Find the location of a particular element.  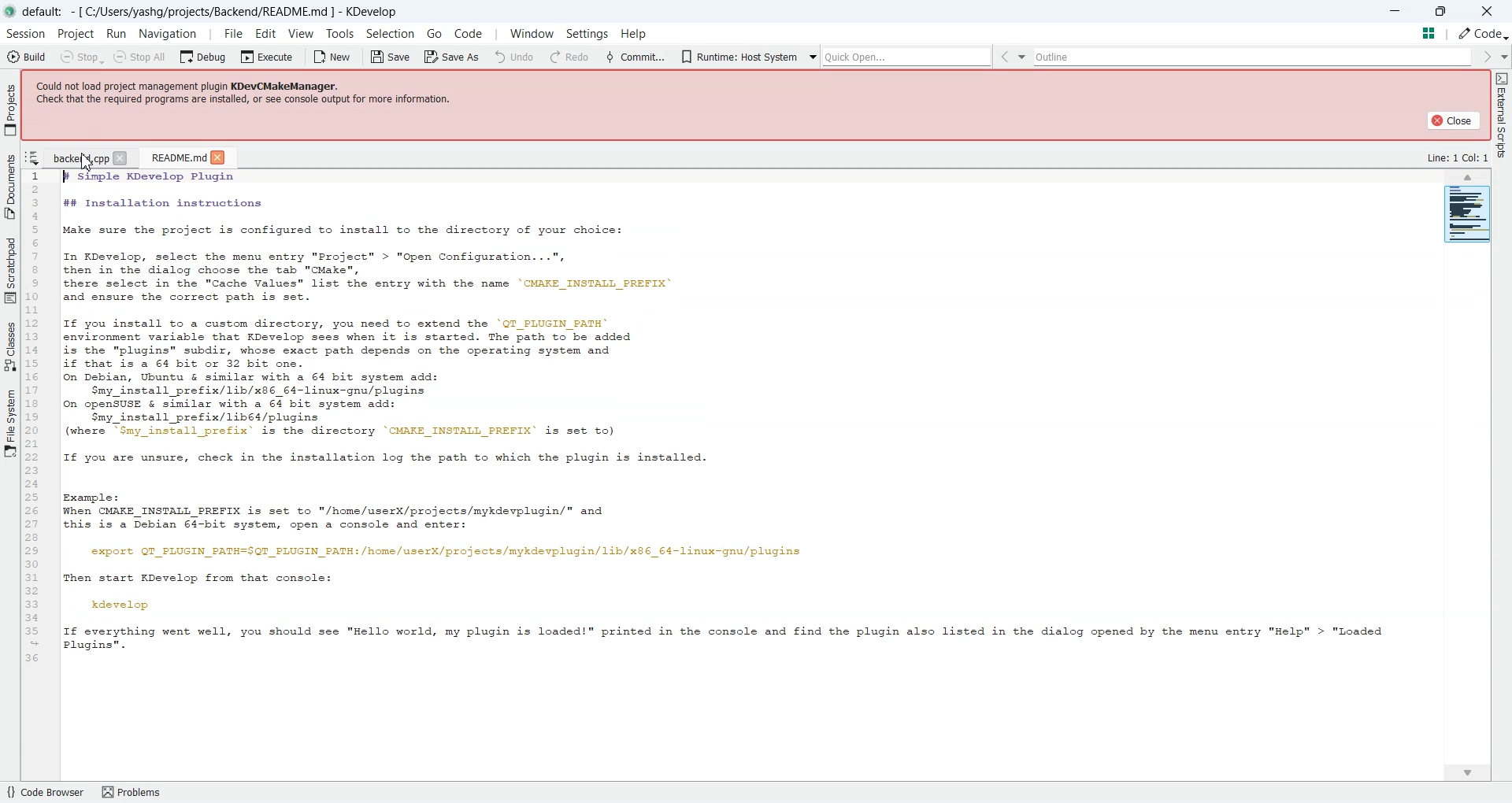

$Smy install prefix/l1ibé4/plugins is located at coordinates (206, 417).